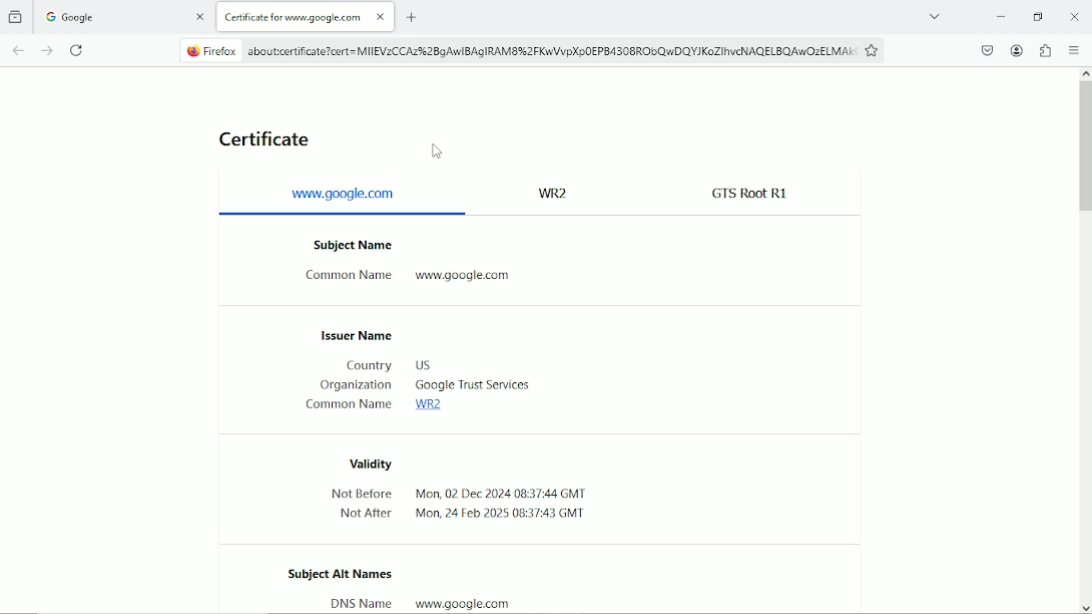 This screenshot has height=614, width=1092. What do you see at coordinates (412, 17) in the screenshot?
I see `New tab` at bounding box center [412, 17].